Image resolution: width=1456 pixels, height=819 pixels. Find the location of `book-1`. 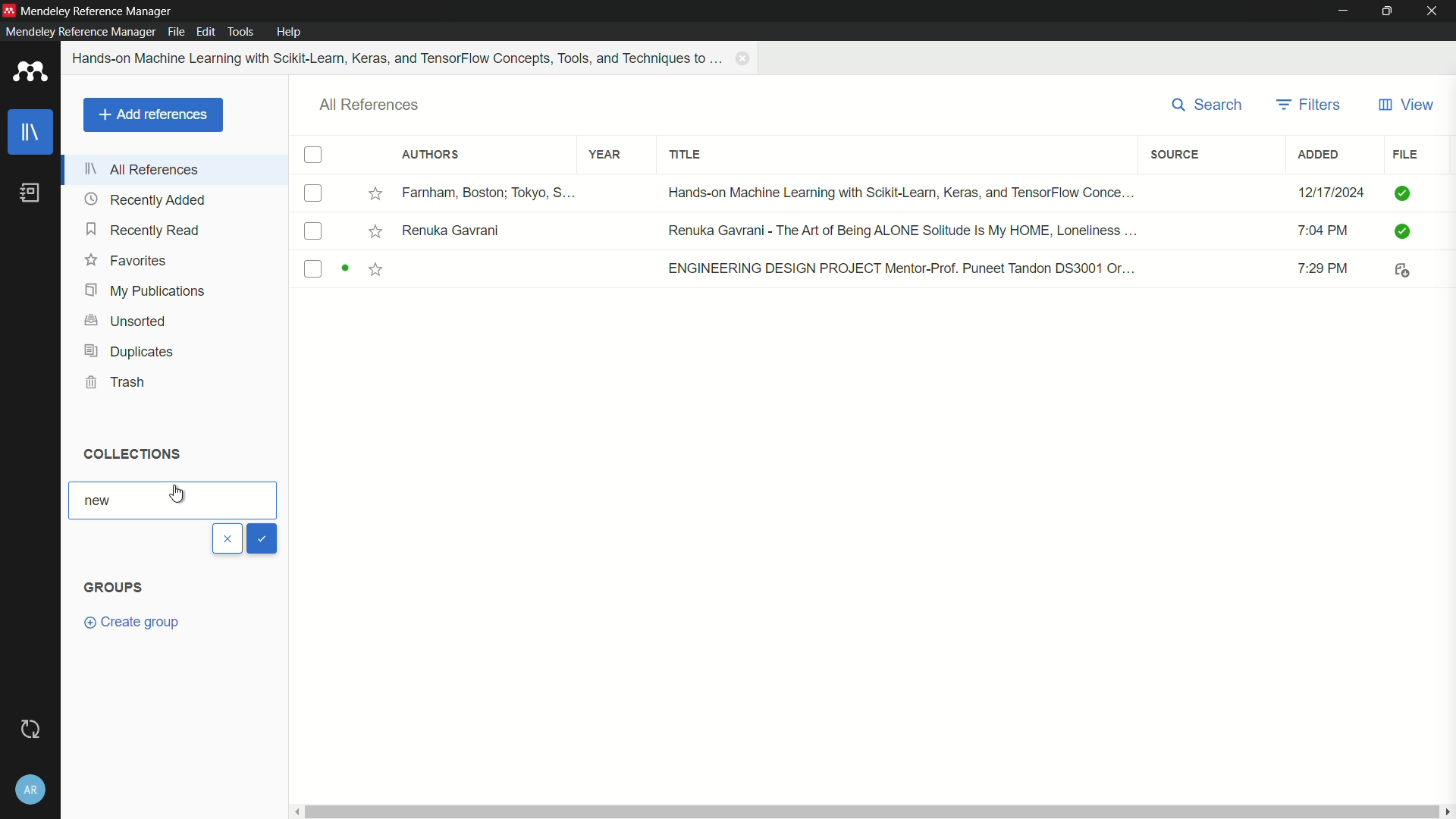

book-1 is located at coordinates (865, 193).